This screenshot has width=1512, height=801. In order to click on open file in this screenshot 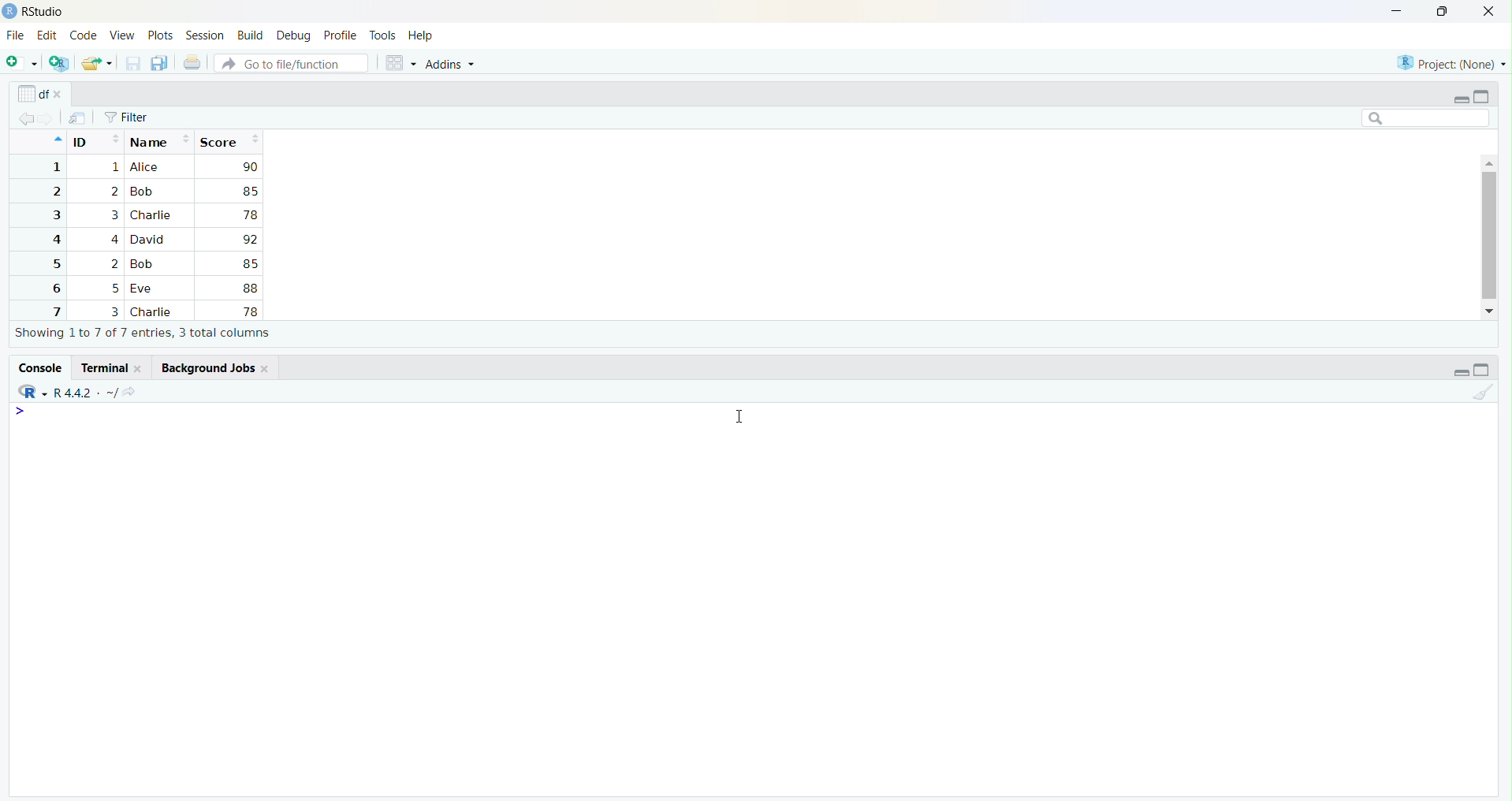, I will do `click(97, 64)`.